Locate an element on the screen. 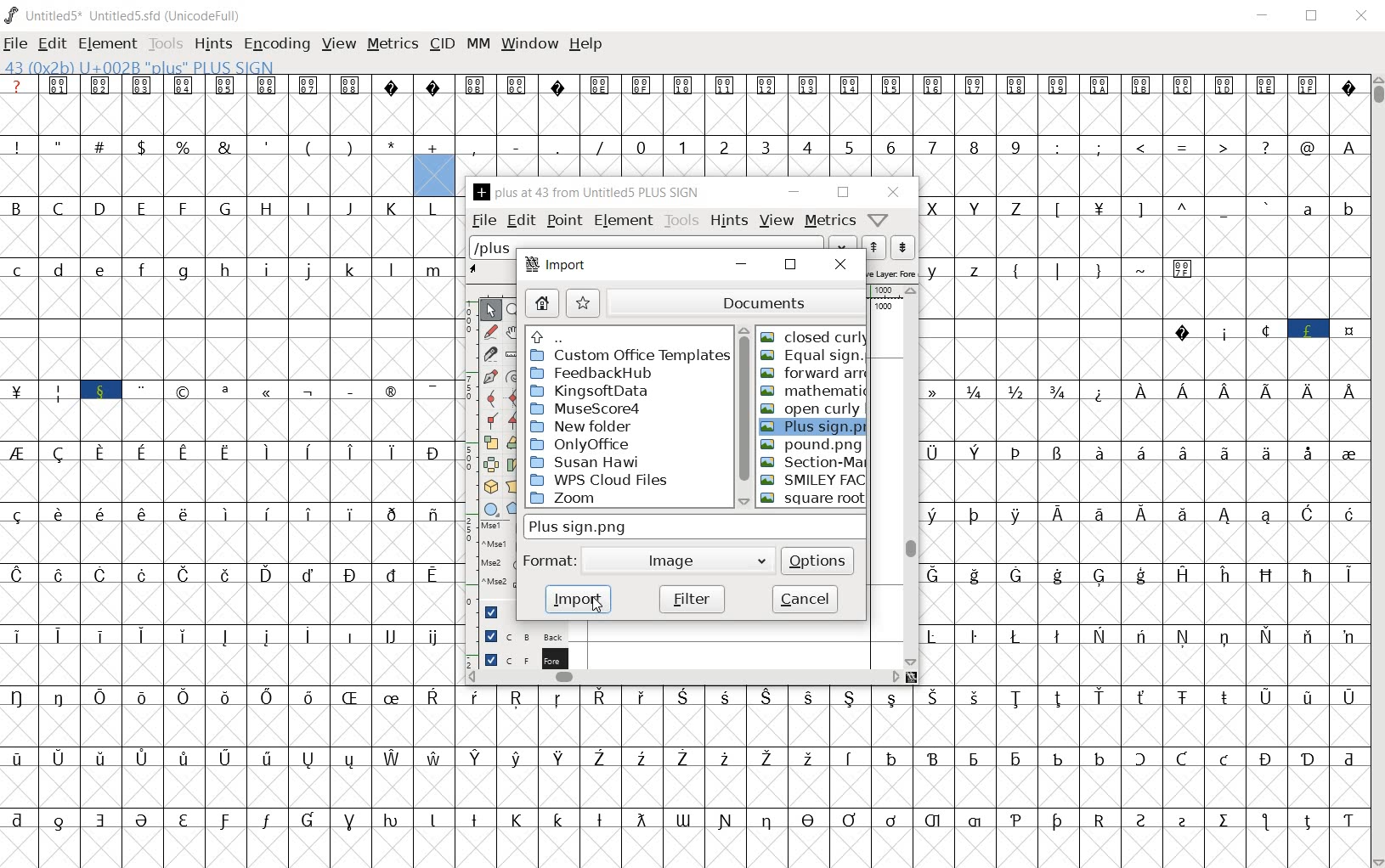 The height and width of the screenshot is (868, 1385). Image is located at coordinates (693, 560).